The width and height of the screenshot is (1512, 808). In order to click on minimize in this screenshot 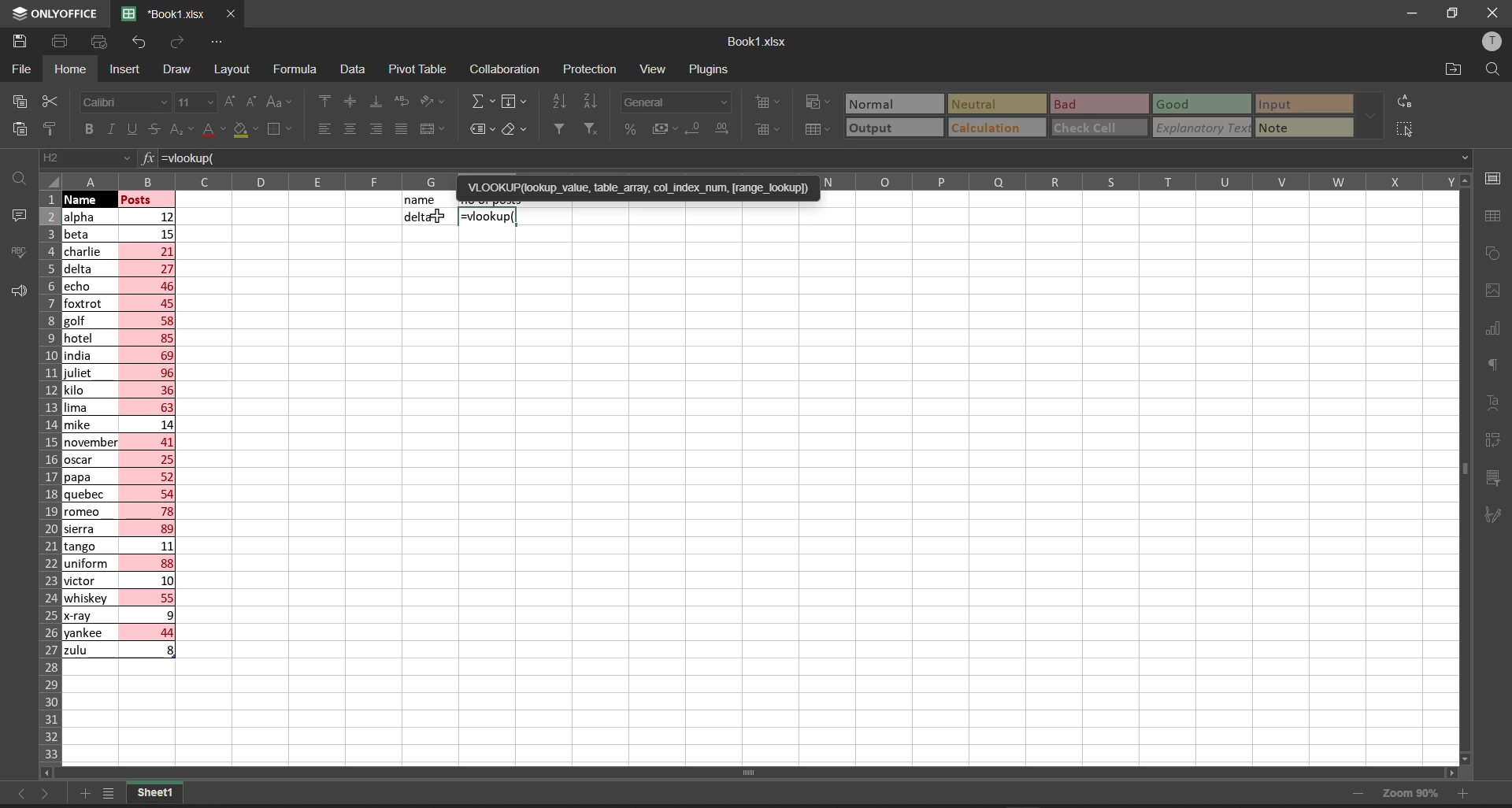, I will do `click(1417, 14)`.